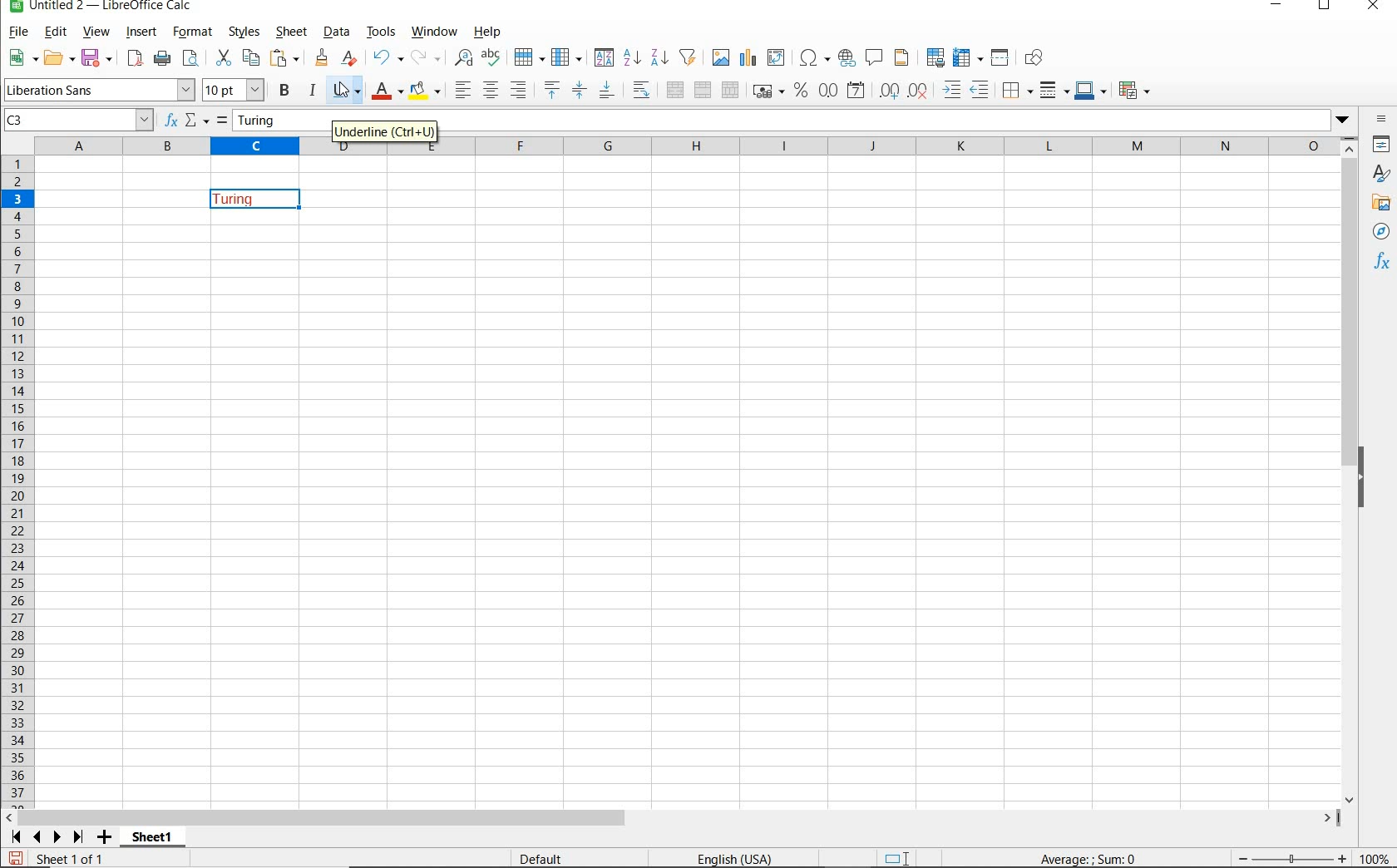 The width and height of the screenshot is (1397, 868). Describe the element at coordinates (1054, 91) in the screenshot. I see `BORDER STYLE` at that location.